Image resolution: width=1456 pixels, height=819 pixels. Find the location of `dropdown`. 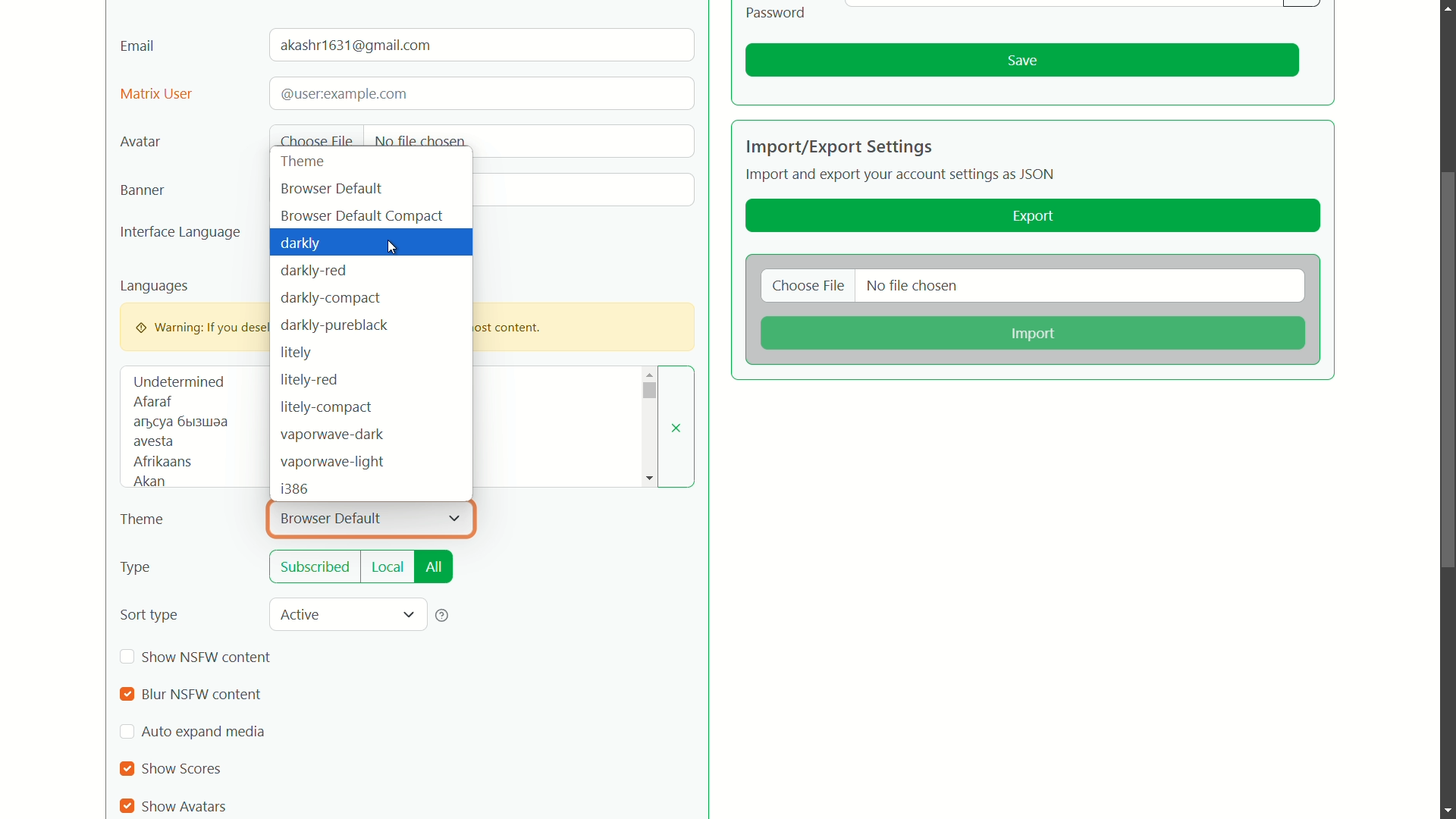

dropdown is located at coordinates (454, 519).